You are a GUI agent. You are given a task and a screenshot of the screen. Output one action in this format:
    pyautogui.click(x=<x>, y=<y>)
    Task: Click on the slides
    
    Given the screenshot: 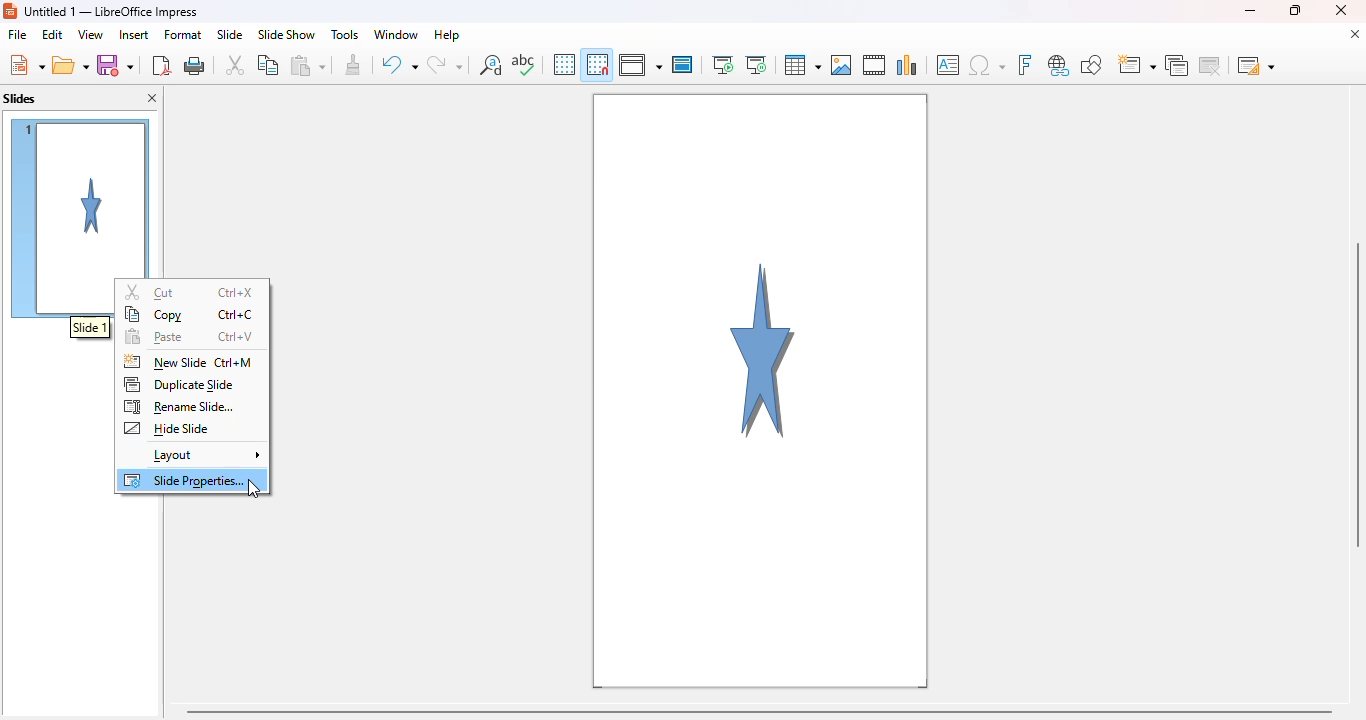 What is the action you would take?
    pyautogui.click(x=20, y=99)
    